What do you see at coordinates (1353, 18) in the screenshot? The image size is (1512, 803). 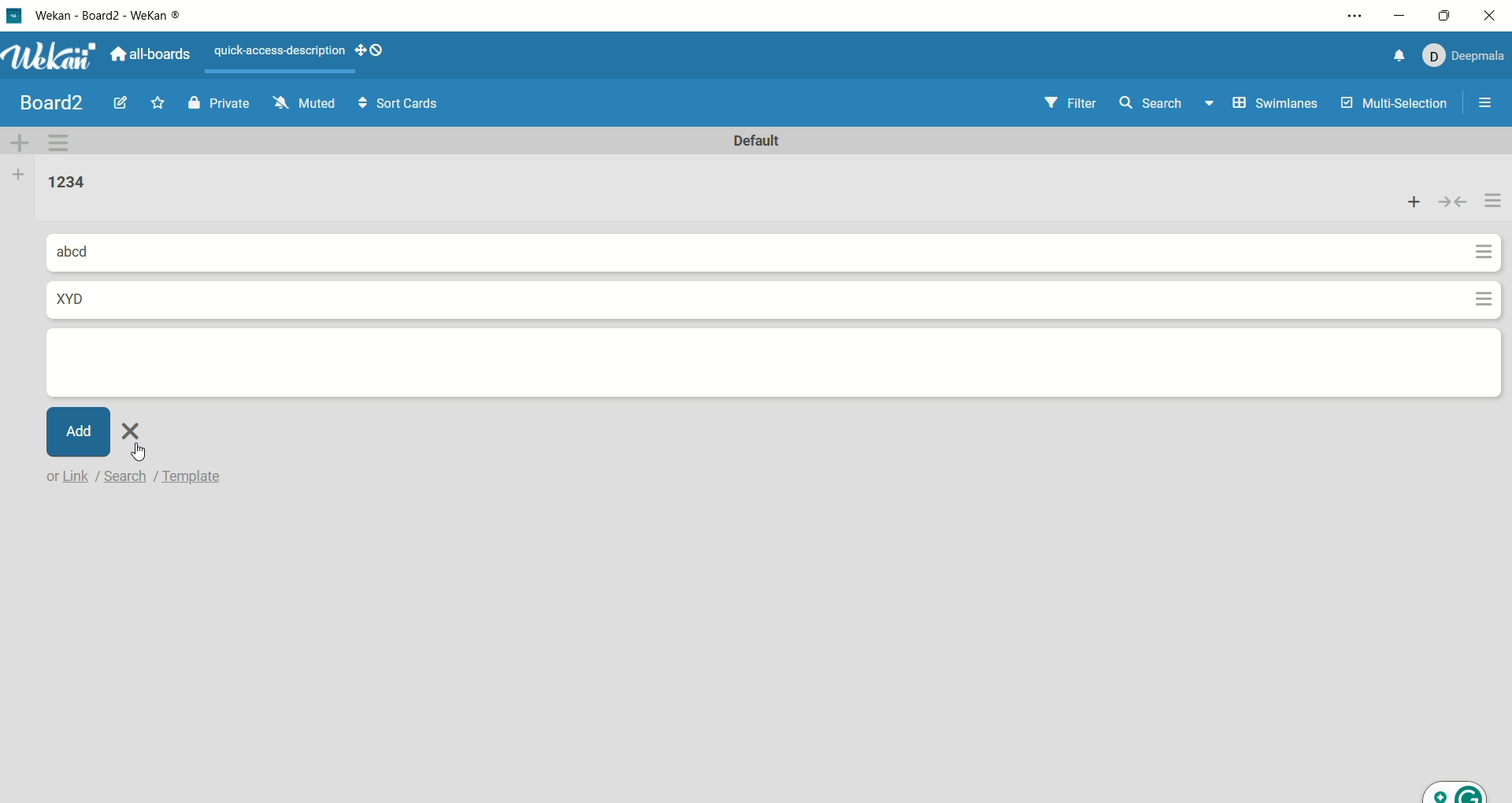 I see `settings and more` at bounding box center [1353, 18].